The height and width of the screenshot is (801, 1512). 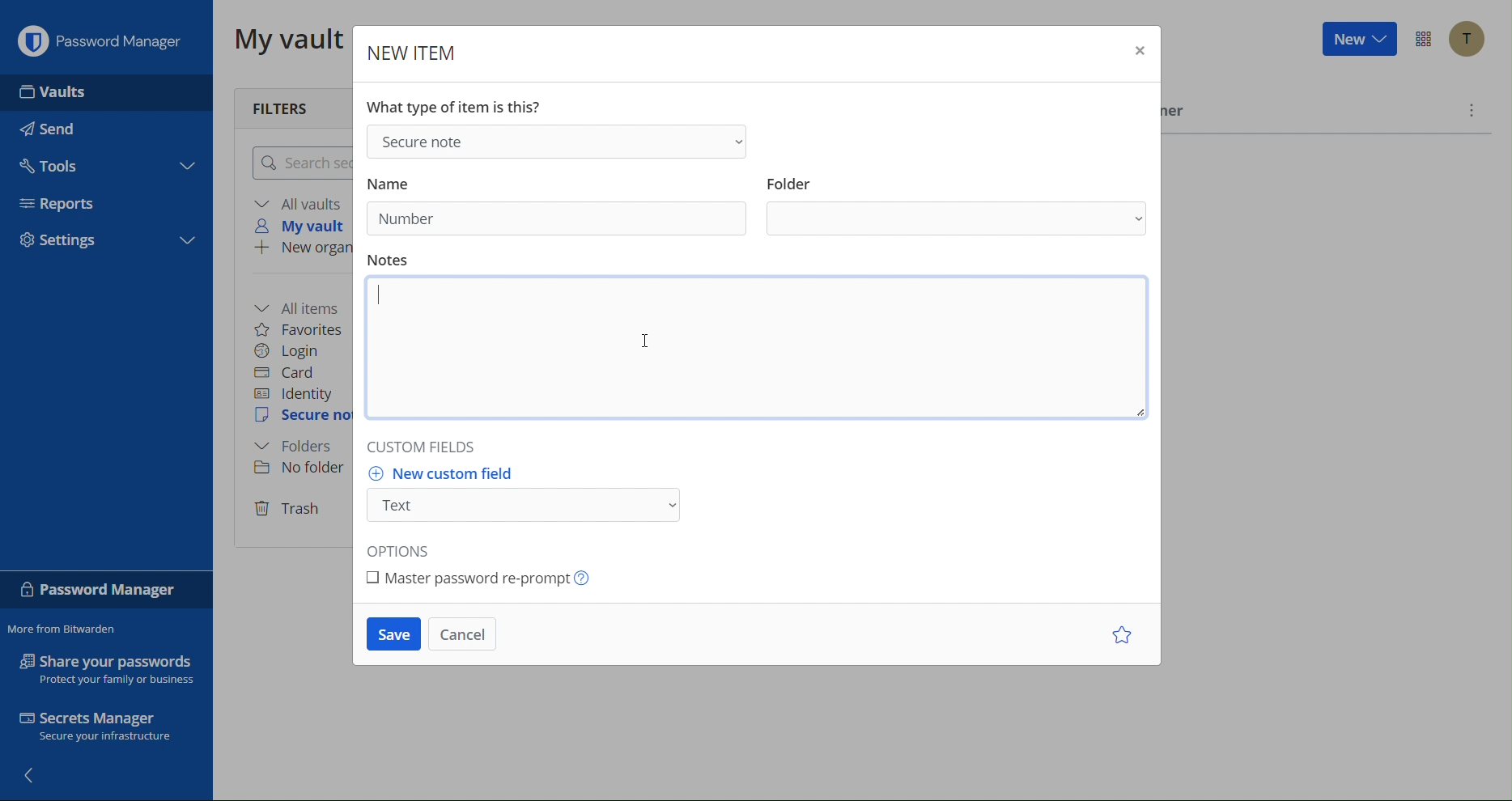 I want to click on Master password re-prompt, so click(x=483, y=578).